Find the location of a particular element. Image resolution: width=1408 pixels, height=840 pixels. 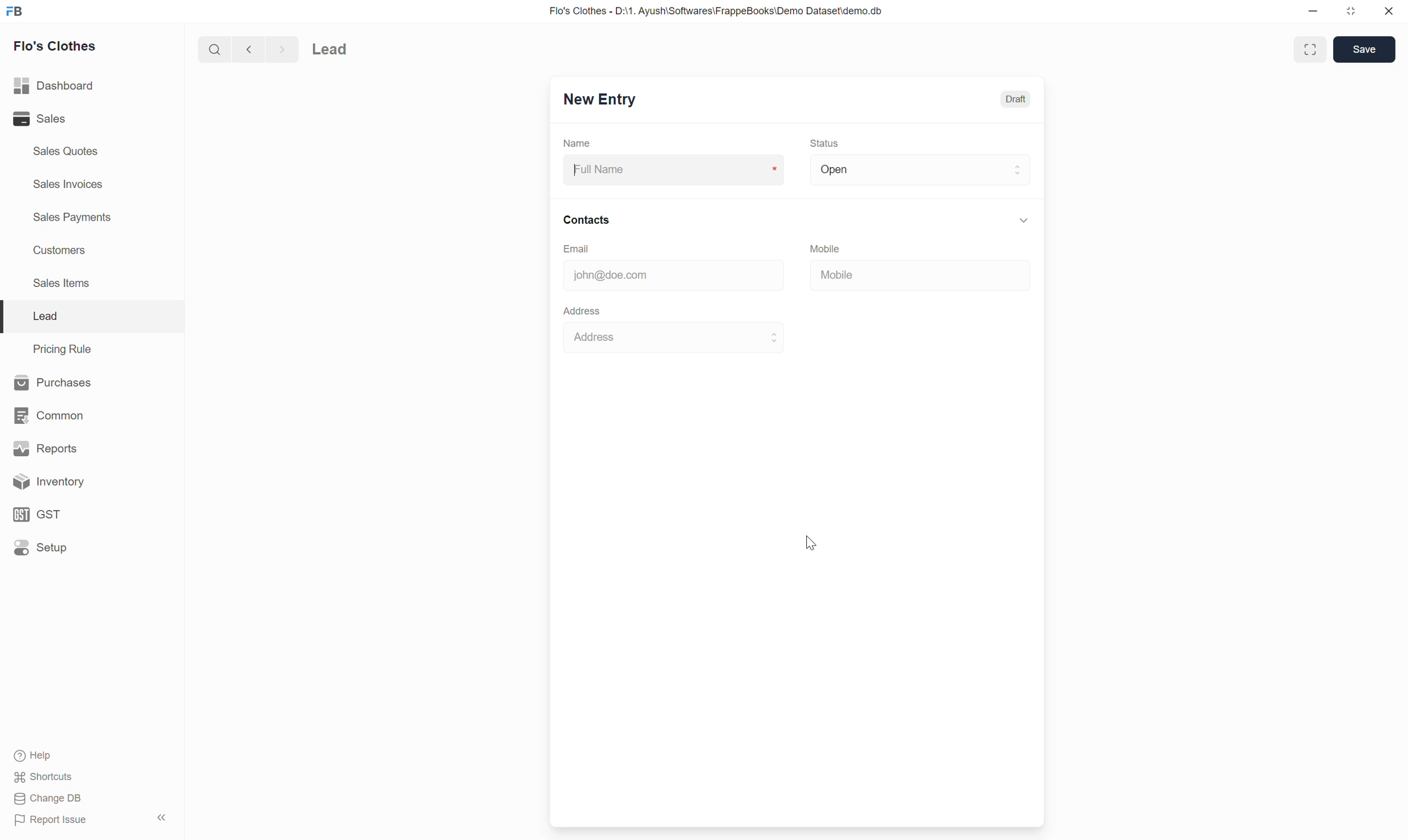

Pricing Rule is located at coordinates (61, 348).